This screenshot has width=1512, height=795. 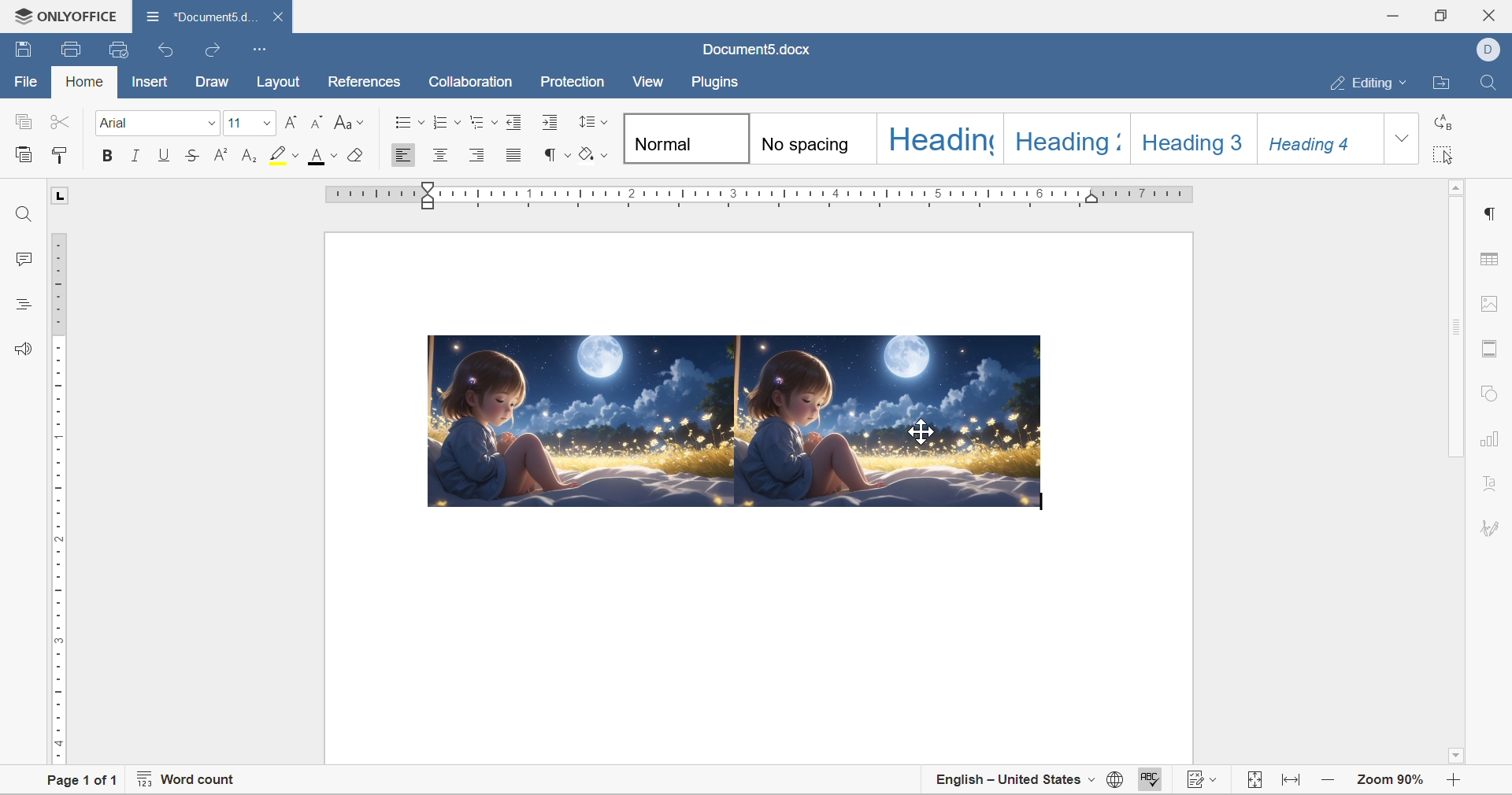 What do you see at coordinates (1492, 478) in the screenshot?
I see `text art settings` at bounding box center [1492, 478].